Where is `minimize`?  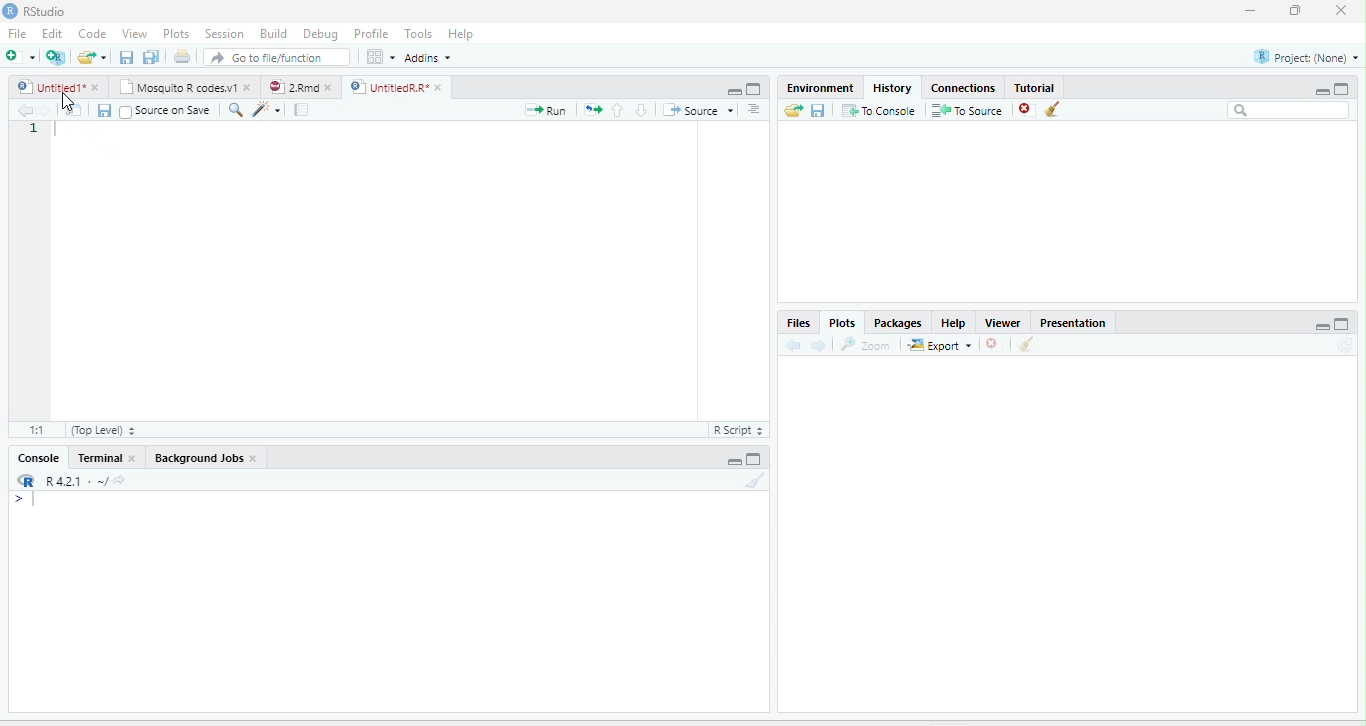
minimize is located at coordinates (1250, 11).